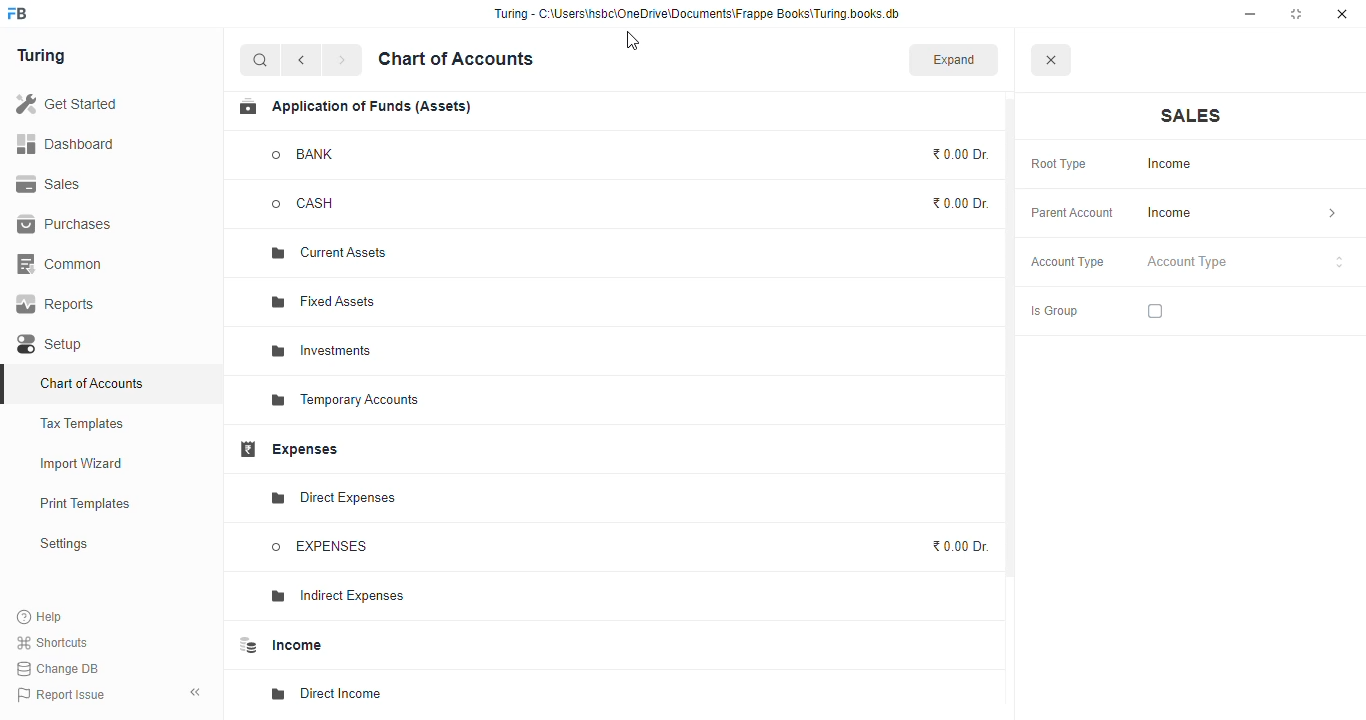  I want to click on change DB, so click(59, 668).